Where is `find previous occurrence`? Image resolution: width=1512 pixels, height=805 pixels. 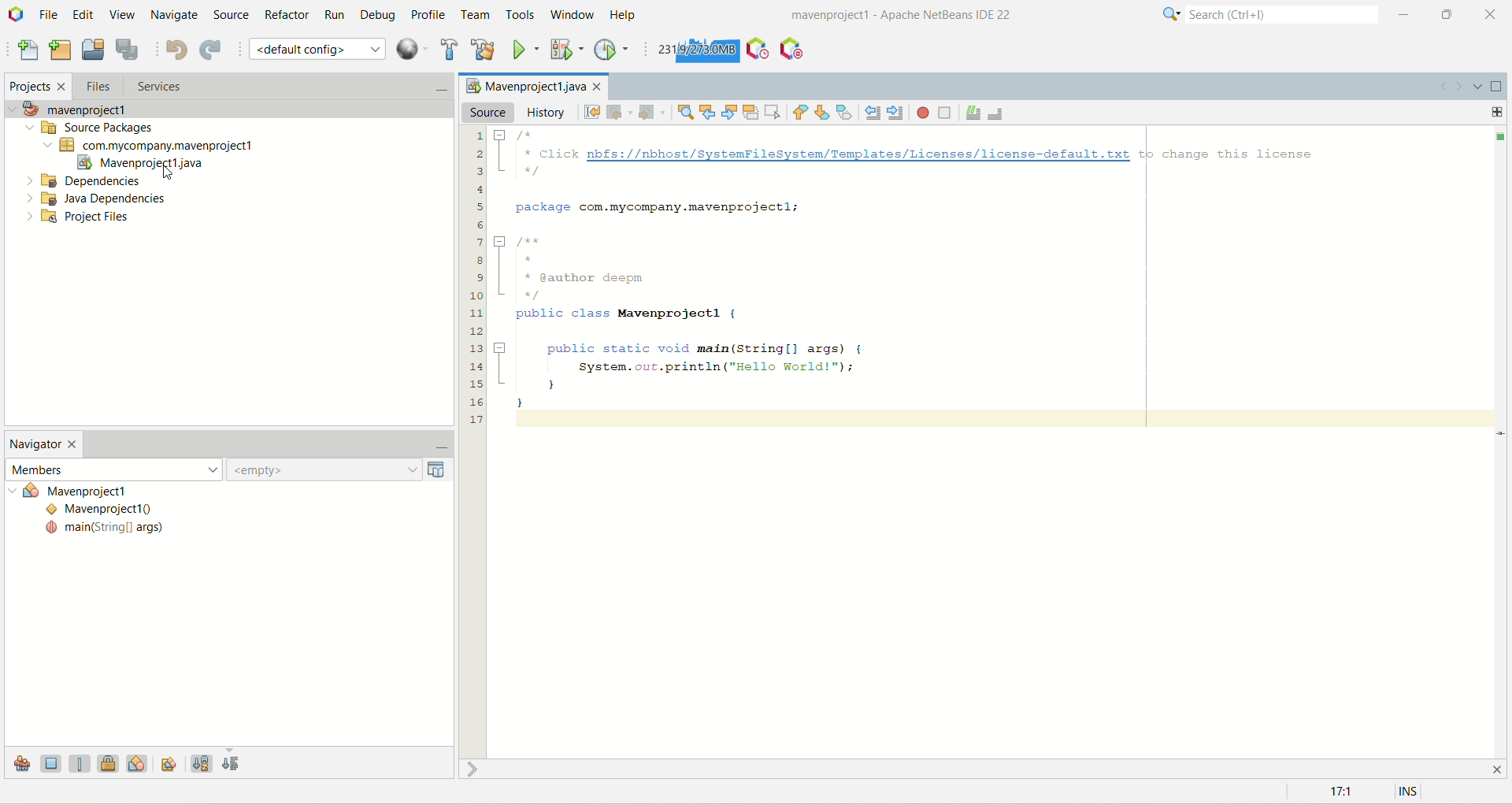
find previous occurrence is located at coordinates (710, 112).